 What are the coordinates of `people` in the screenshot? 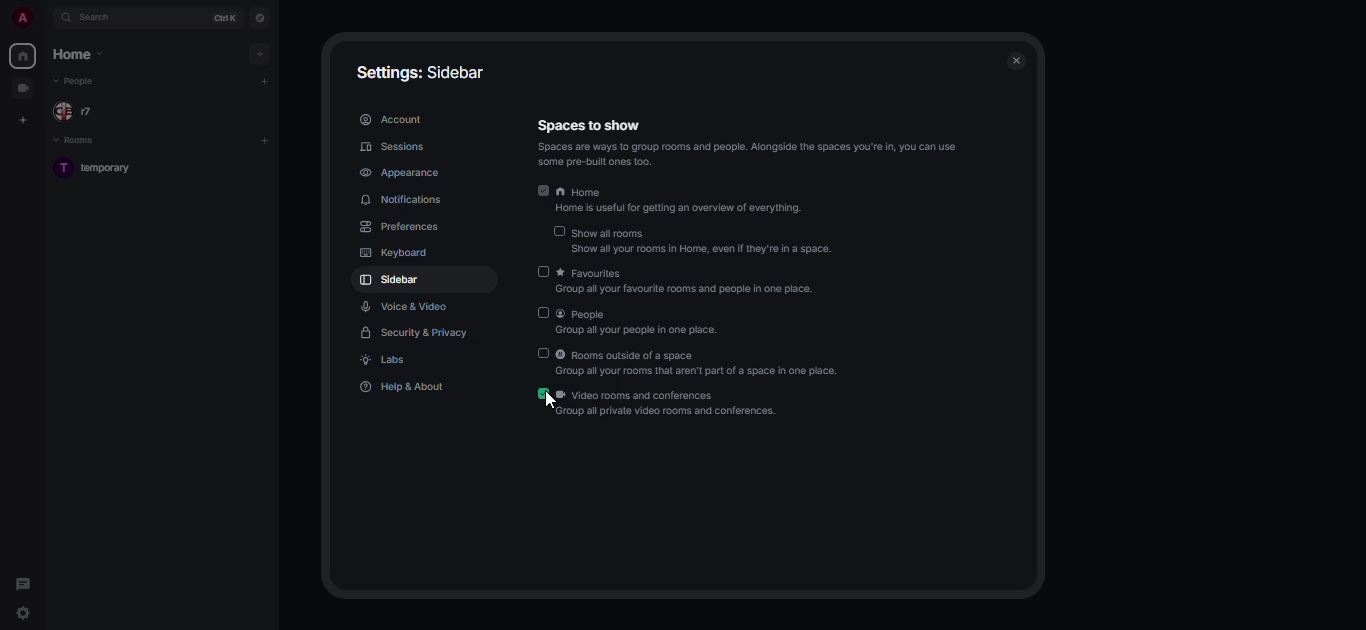 It's located at (639, 315).